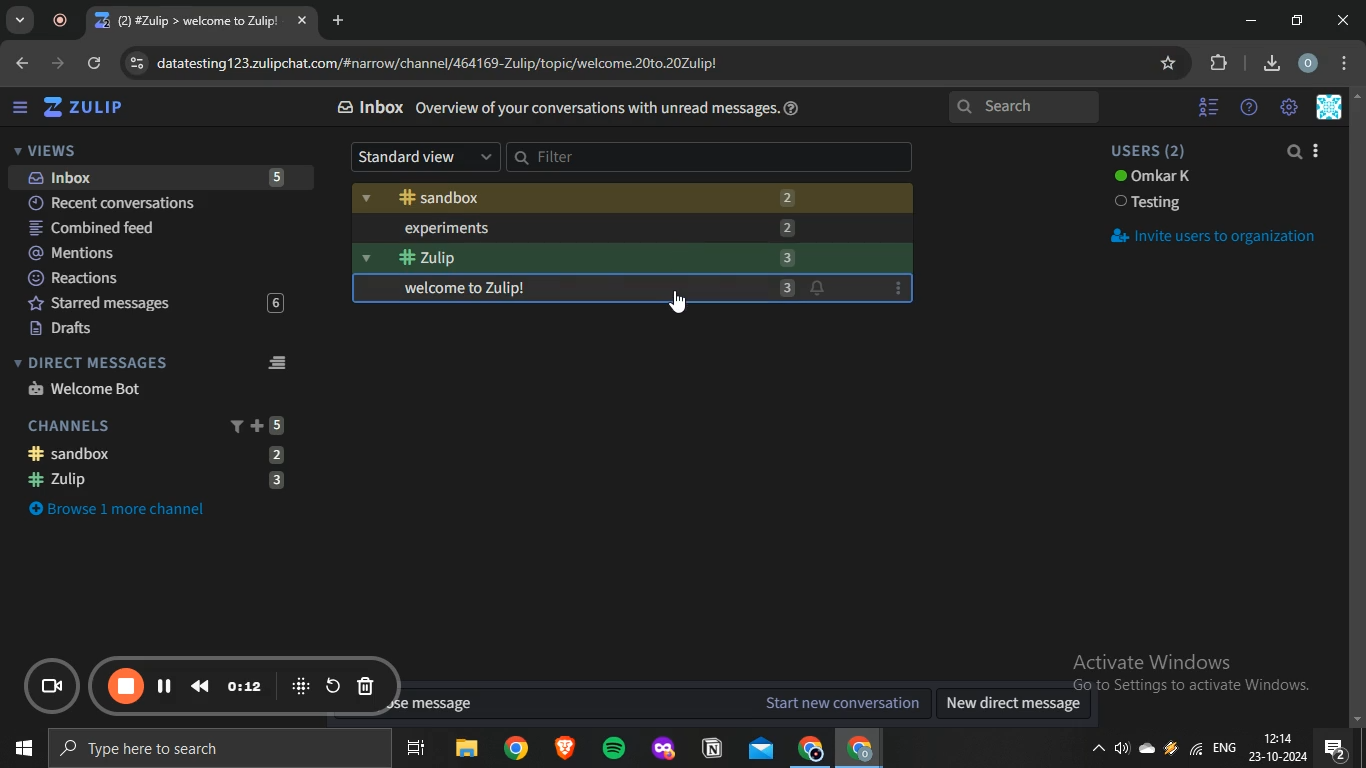  What do you see at coordinates (1150, 750) in the screenshot?
I see `onedrive` at bounding box center [1150, 750].